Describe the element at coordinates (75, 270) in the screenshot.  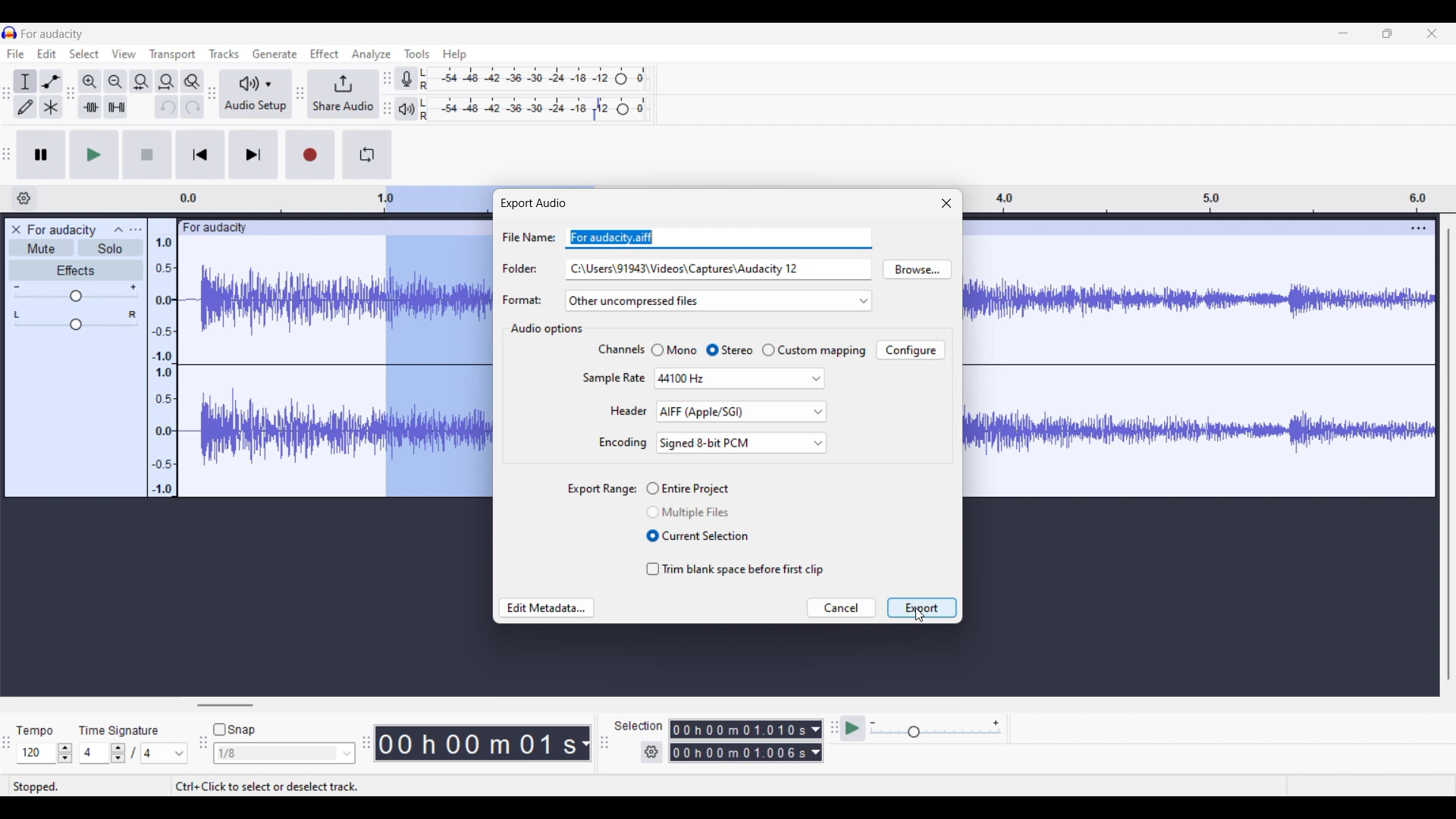
I see `Effects` at that location.